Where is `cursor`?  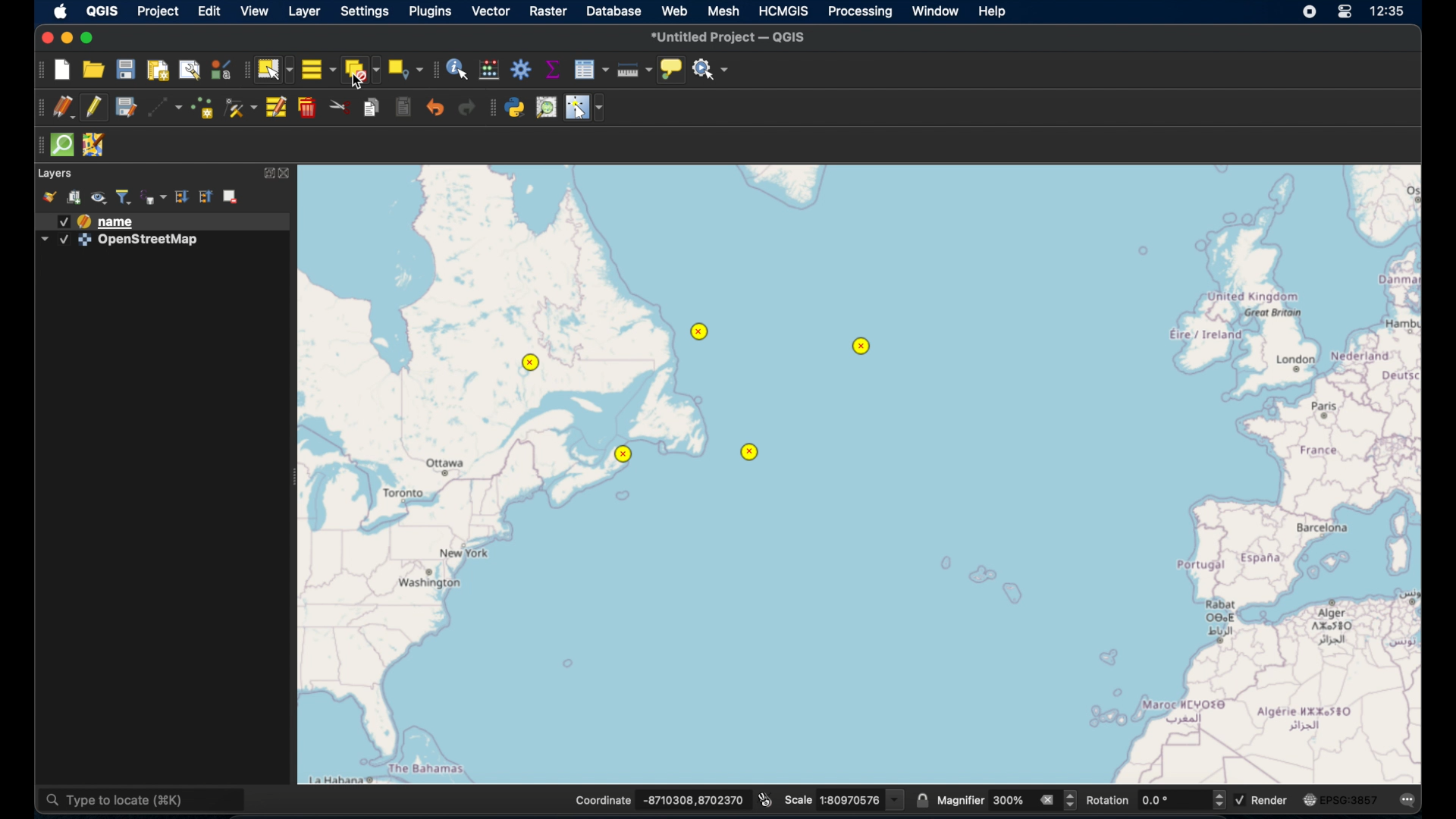 cursor is located at coordinates (359, 83).